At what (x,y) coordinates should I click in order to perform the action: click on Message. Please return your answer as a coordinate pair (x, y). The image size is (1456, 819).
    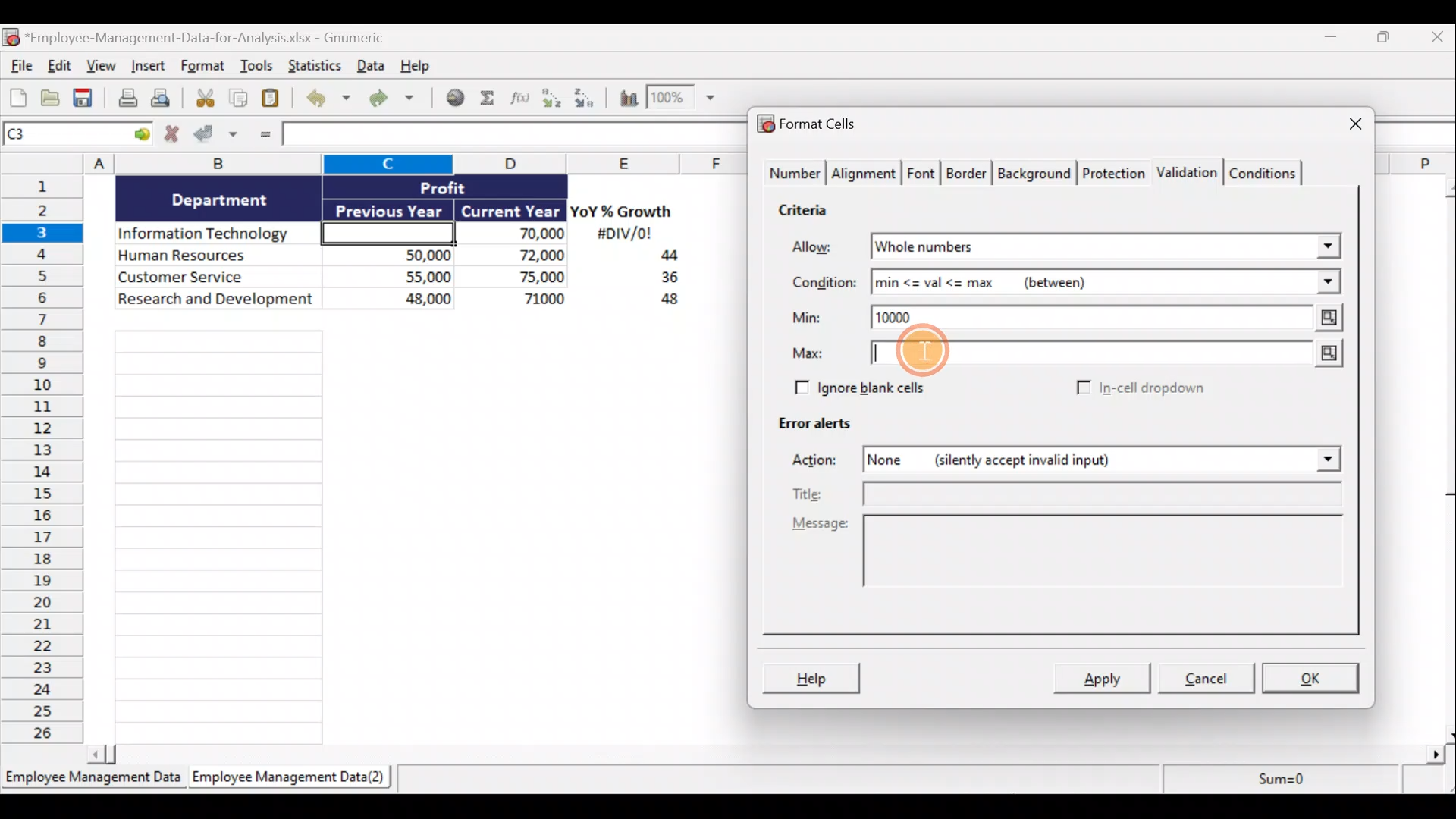
    Looking at the image, I should click on (1064, 560).